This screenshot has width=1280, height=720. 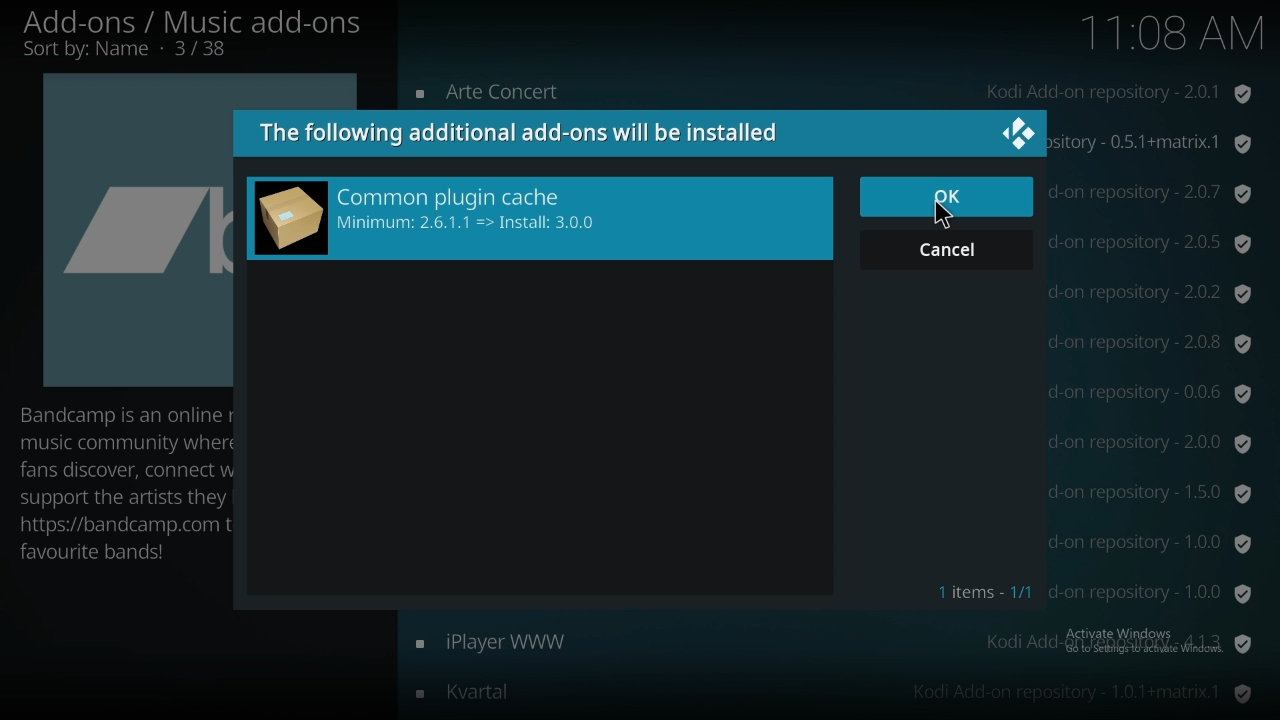 What do you see at coordinates (941, 218) in the screenshot?
I see `cursor` at bounding box center [941, 218].